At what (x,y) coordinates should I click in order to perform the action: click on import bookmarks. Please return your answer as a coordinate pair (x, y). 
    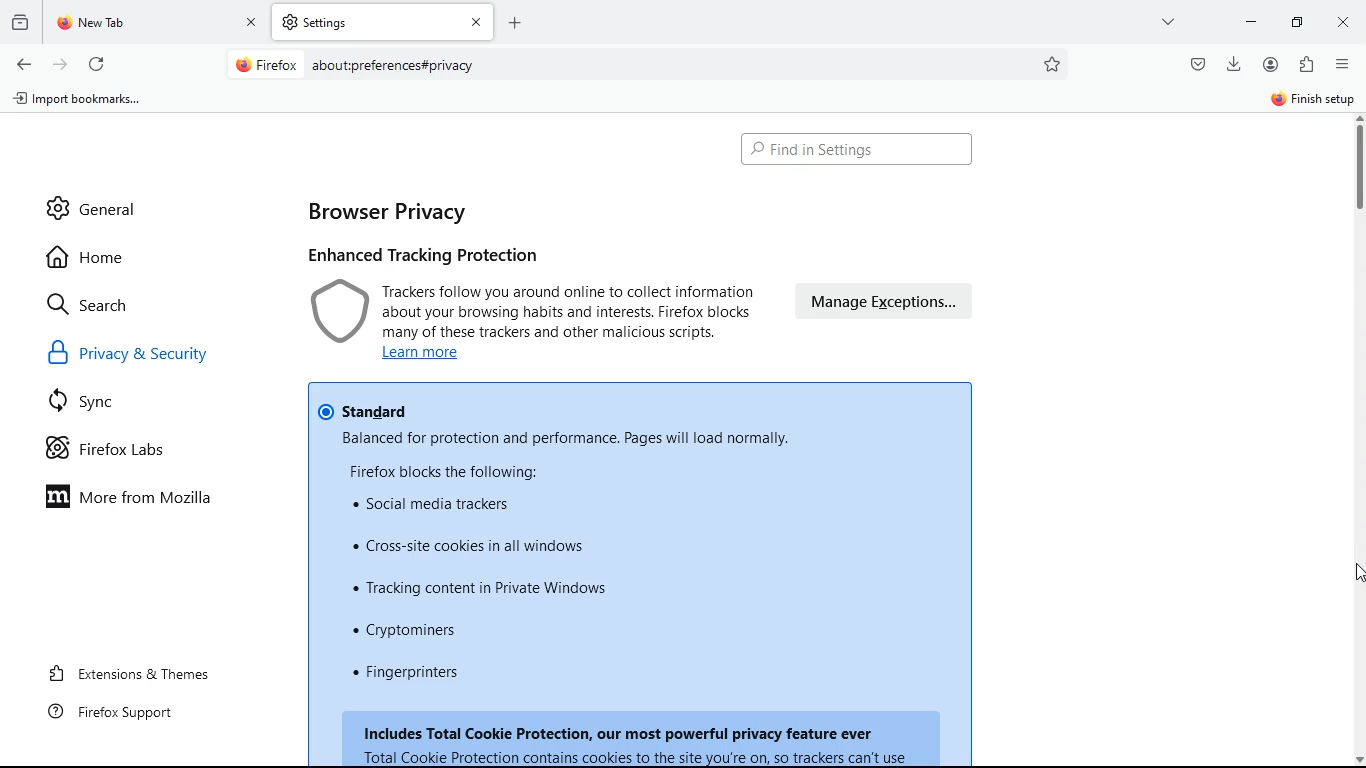
    Looking at the image, I should click on (84, 103).